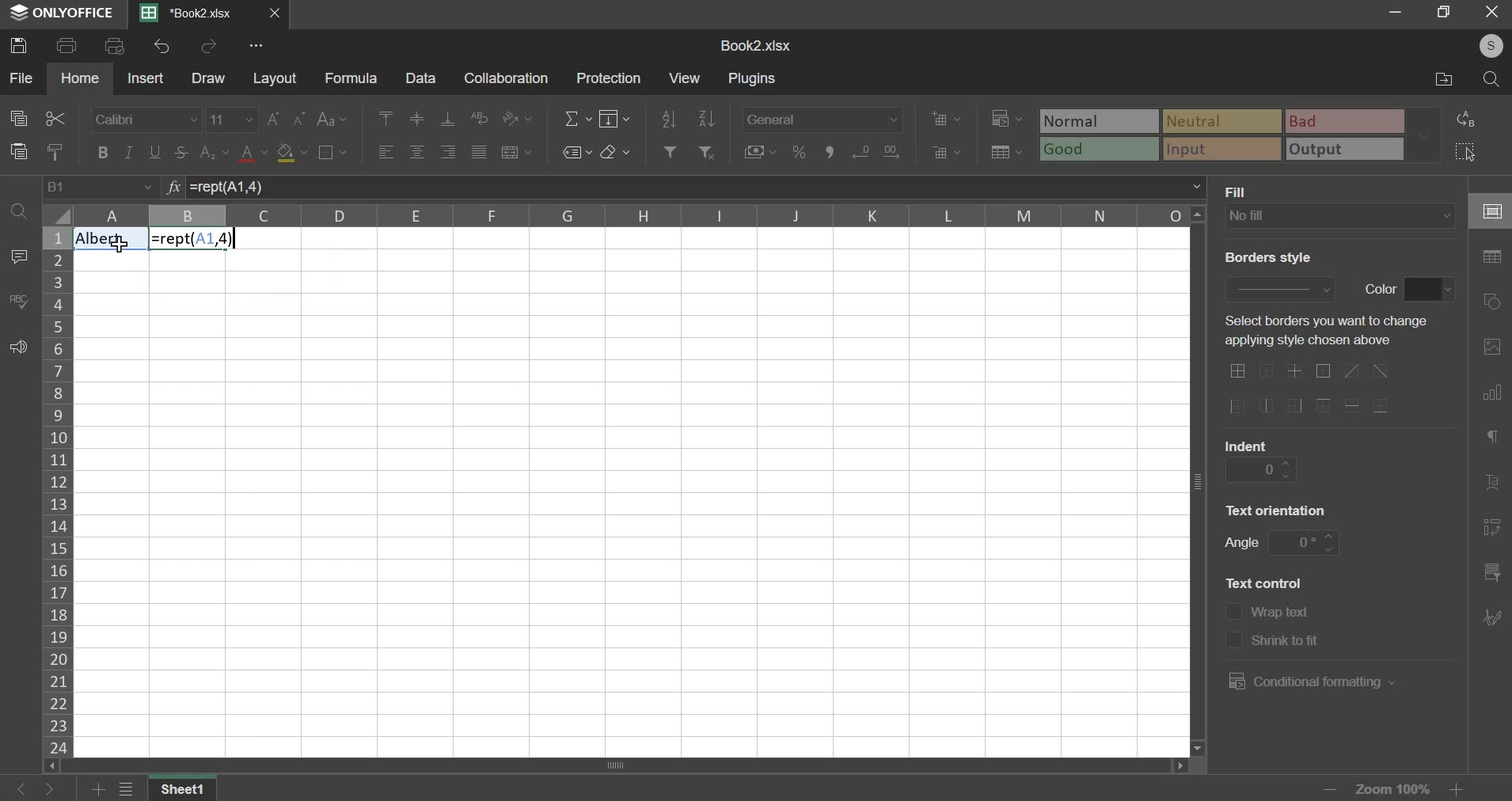  What do you see at coordinates (478, 118) in the screenshot?
I see `wrap text` at bounding box center [478, 118].